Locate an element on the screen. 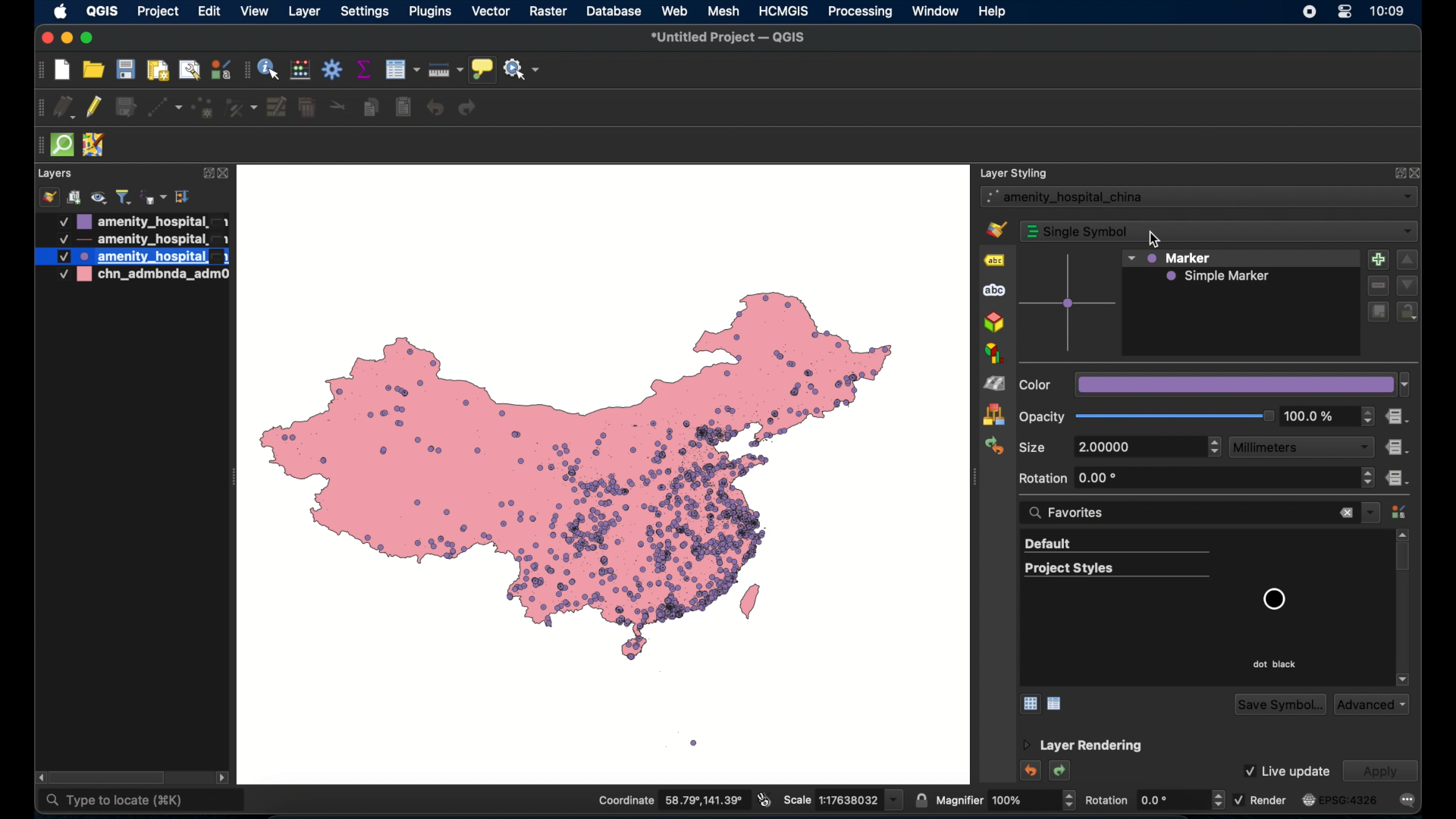 Image resolution: width=1456 pixels, height=819 pixels. move up is located at coordinates (1408, 259).